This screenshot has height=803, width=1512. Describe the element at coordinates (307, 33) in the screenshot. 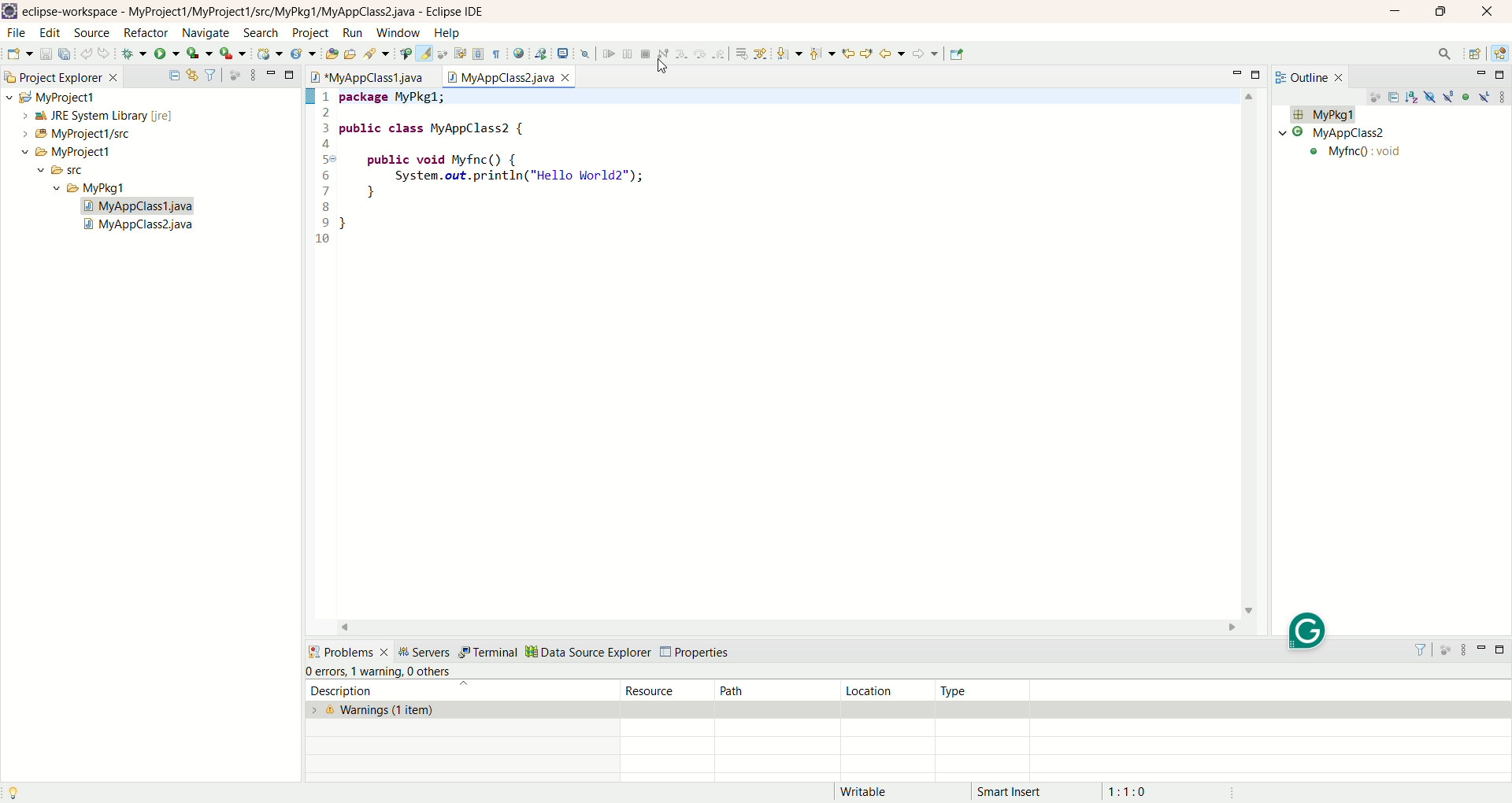

I see `project` at that location.